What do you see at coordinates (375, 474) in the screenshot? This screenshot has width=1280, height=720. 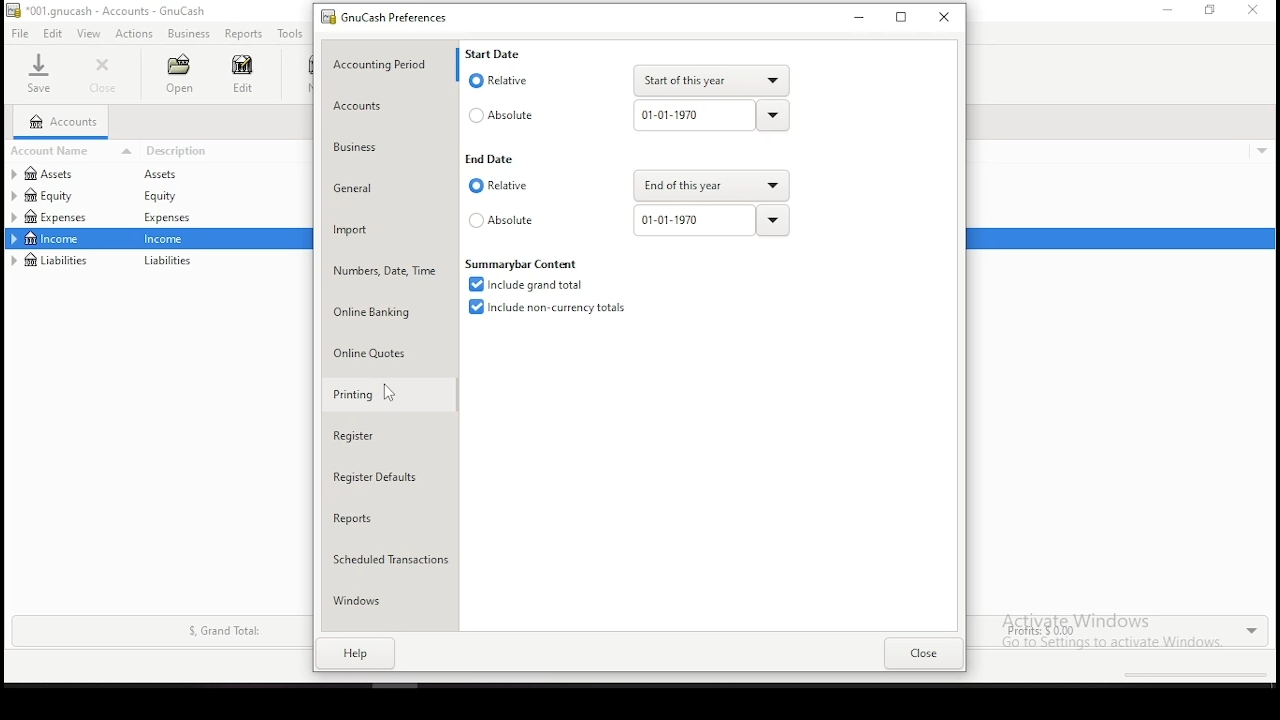 I see `register defaults` at bounding box center [375, 474].